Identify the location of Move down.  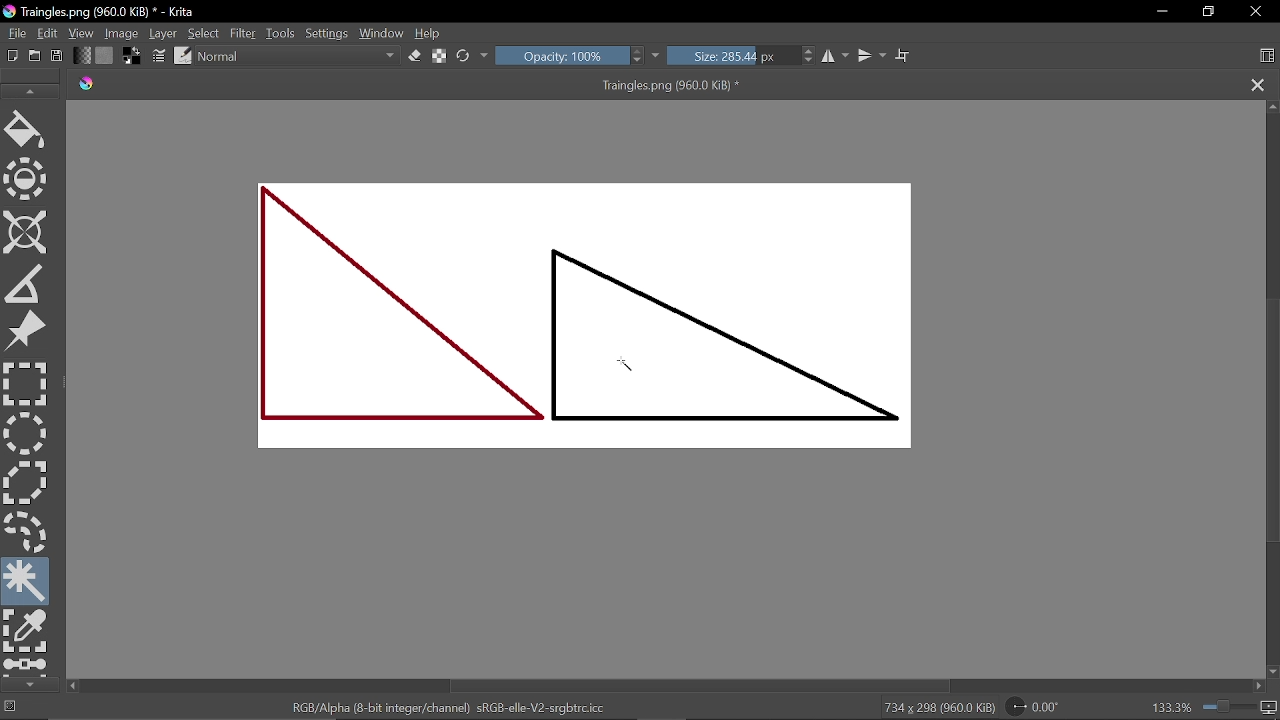
(1272, 673).